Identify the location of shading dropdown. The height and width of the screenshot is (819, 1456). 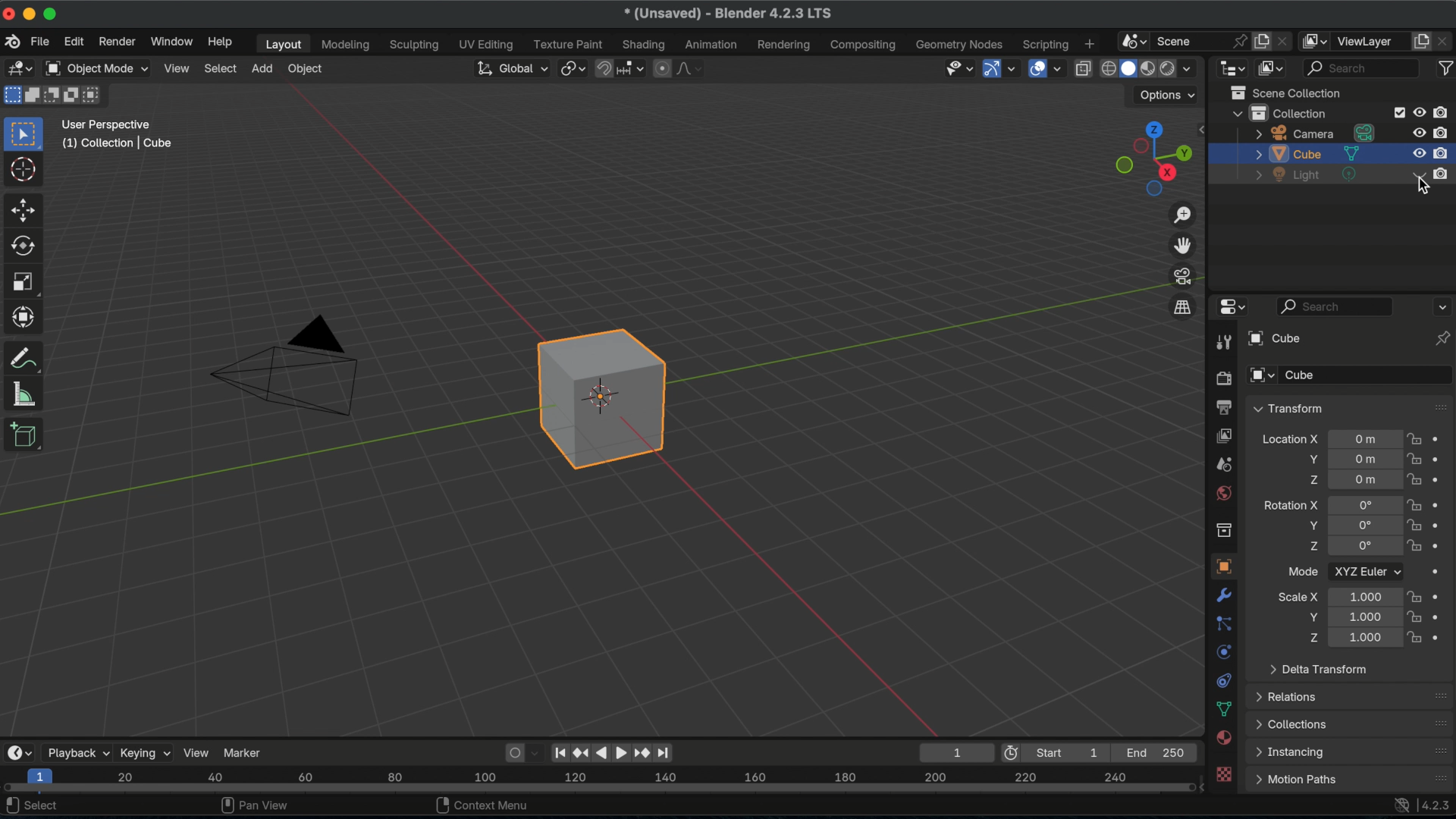
(1181, 67).